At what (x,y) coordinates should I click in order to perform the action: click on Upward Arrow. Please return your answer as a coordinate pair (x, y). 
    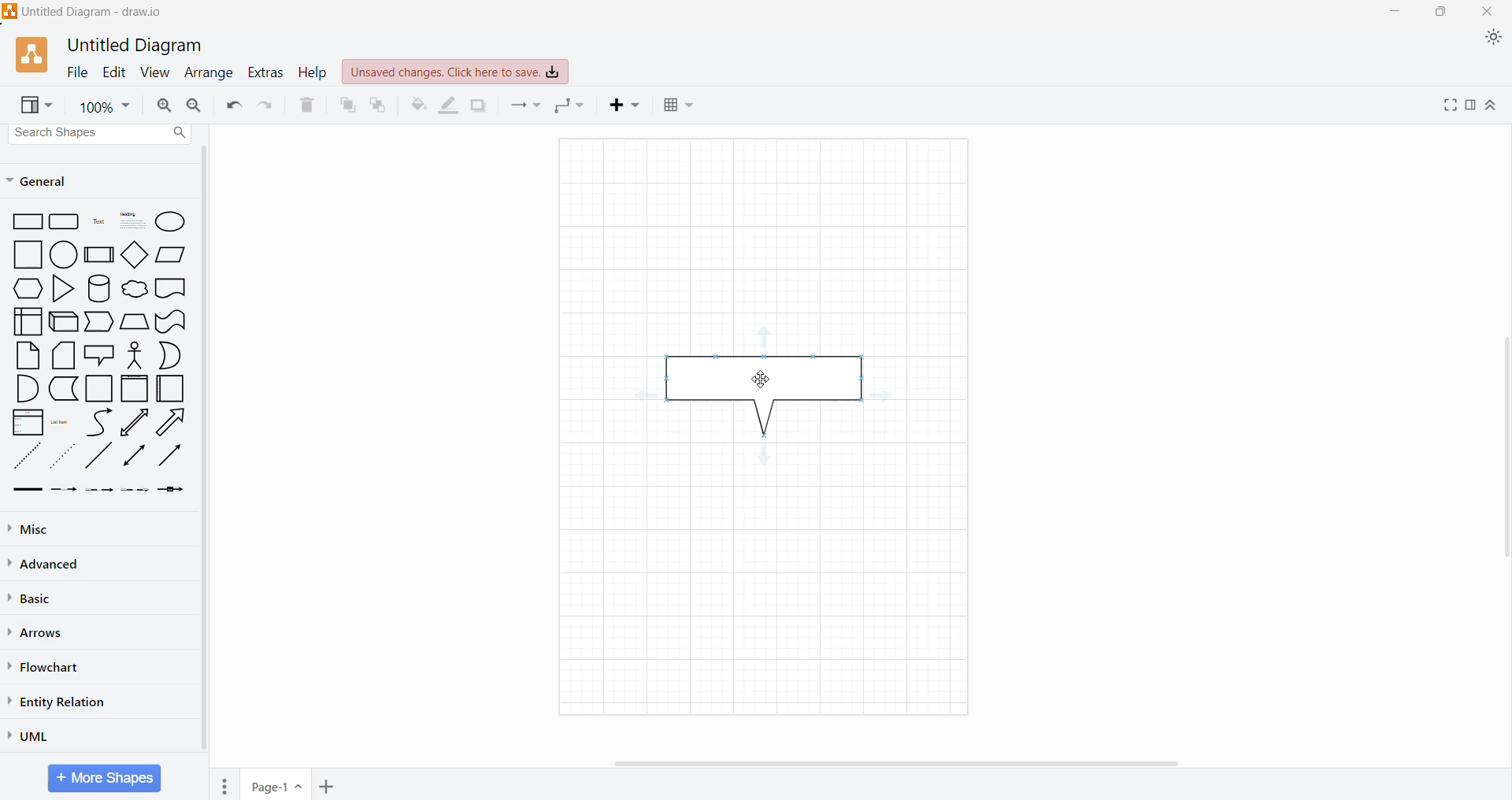
    Looking at the image, I should click on (135, 422).